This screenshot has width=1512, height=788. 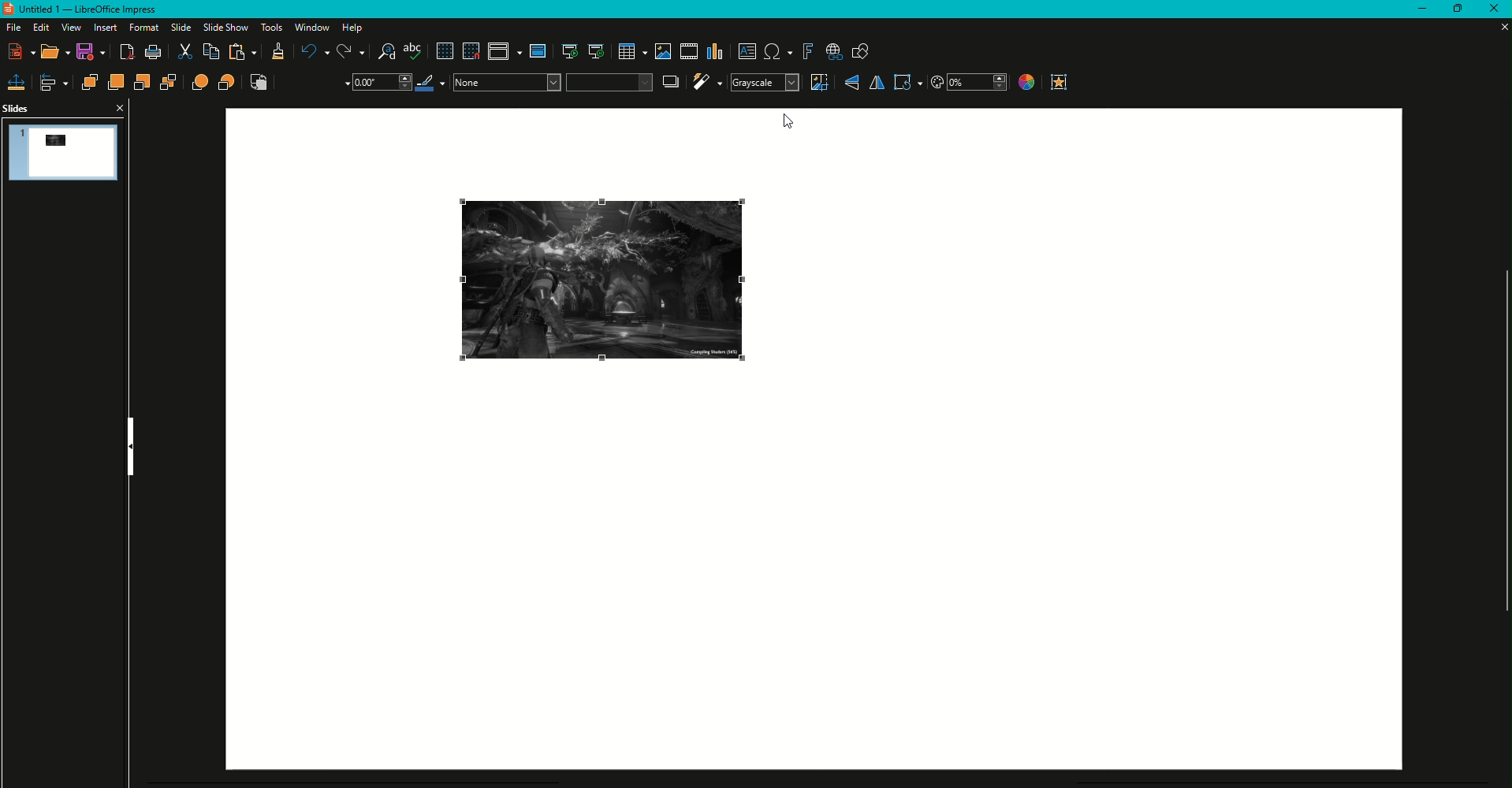 What do you see at coordinates (414, 52) in the screenshot?
I see `Spelling` at bounding box center [414, 52].